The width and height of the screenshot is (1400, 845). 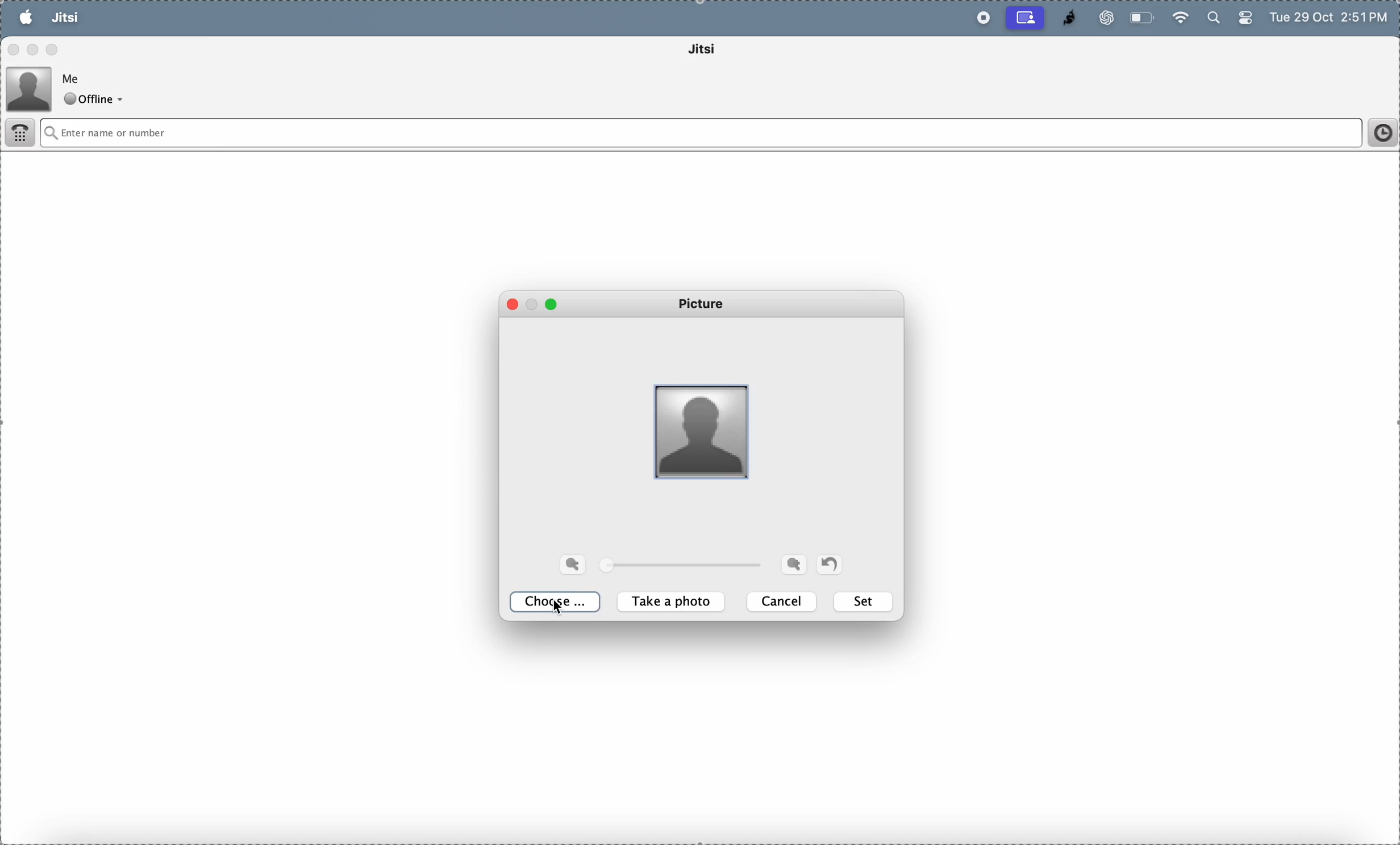 I want to click on battery, so click(x=1244, y=20).